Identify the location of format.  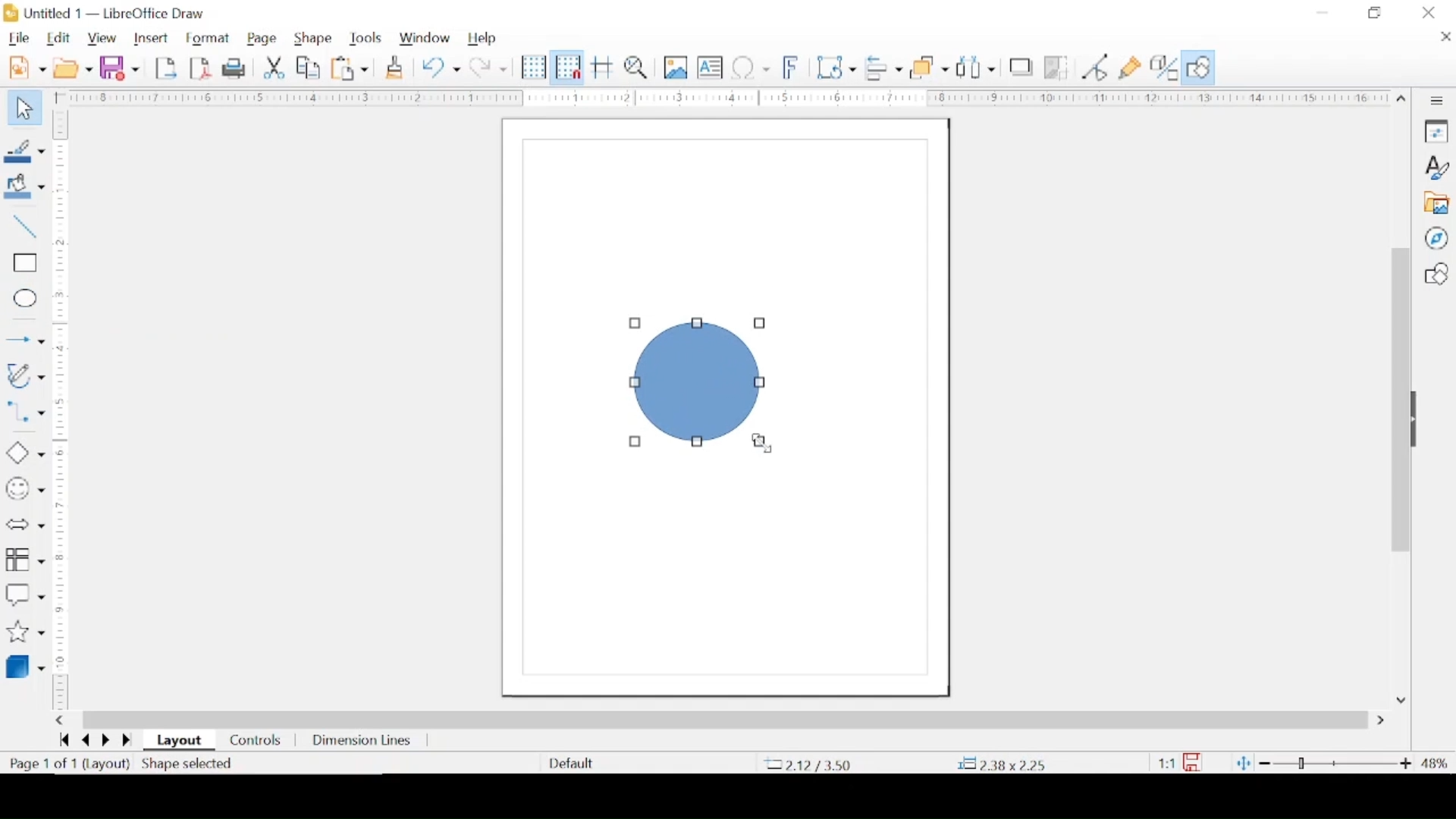
(210, 37).